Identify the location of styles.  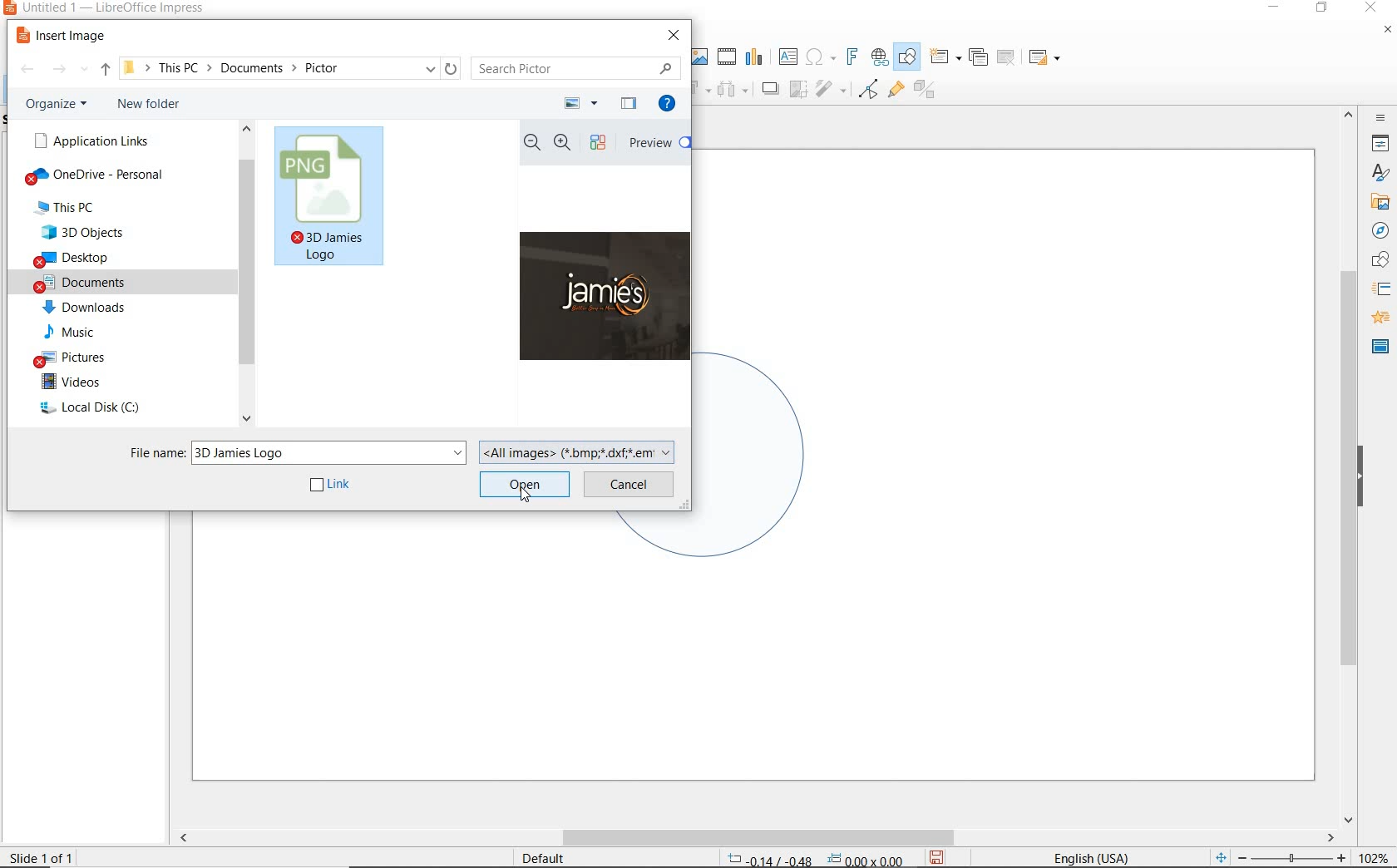
(1380, 174).